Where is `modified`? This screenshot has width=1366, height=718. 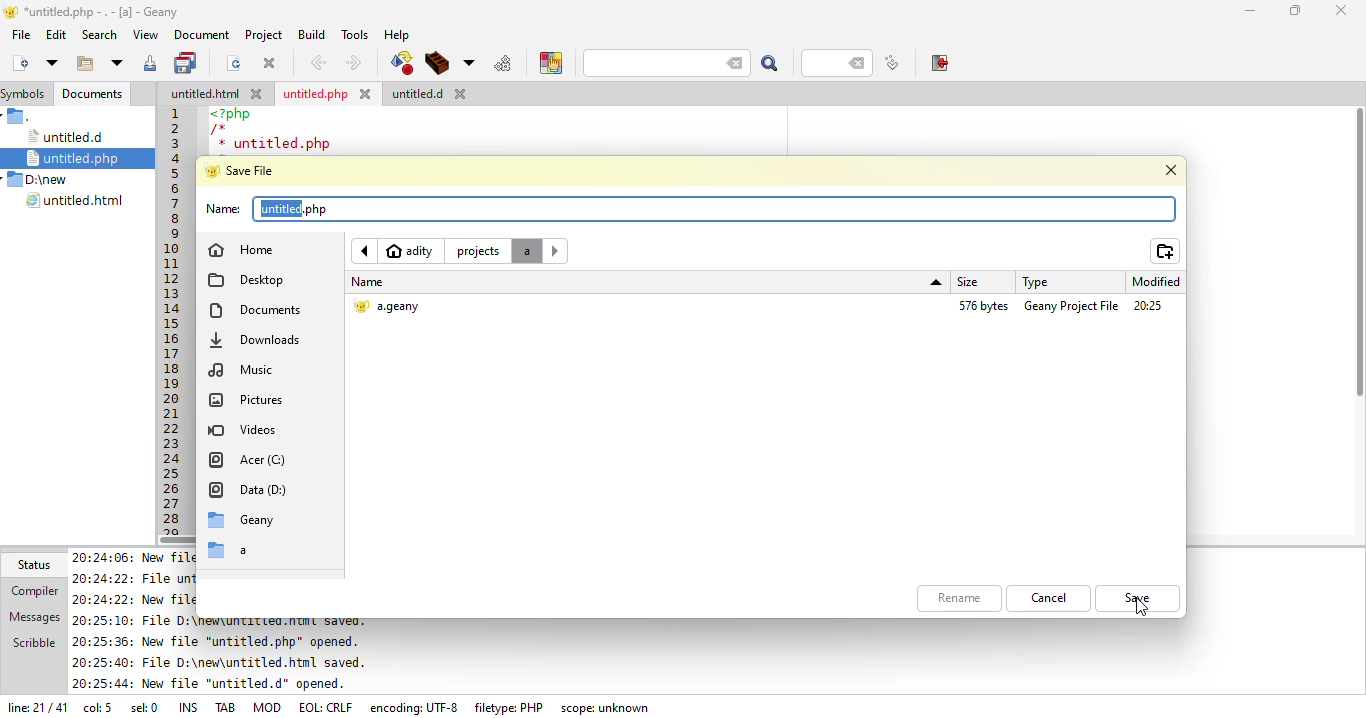
modified is located at coordinates (1161, 282).